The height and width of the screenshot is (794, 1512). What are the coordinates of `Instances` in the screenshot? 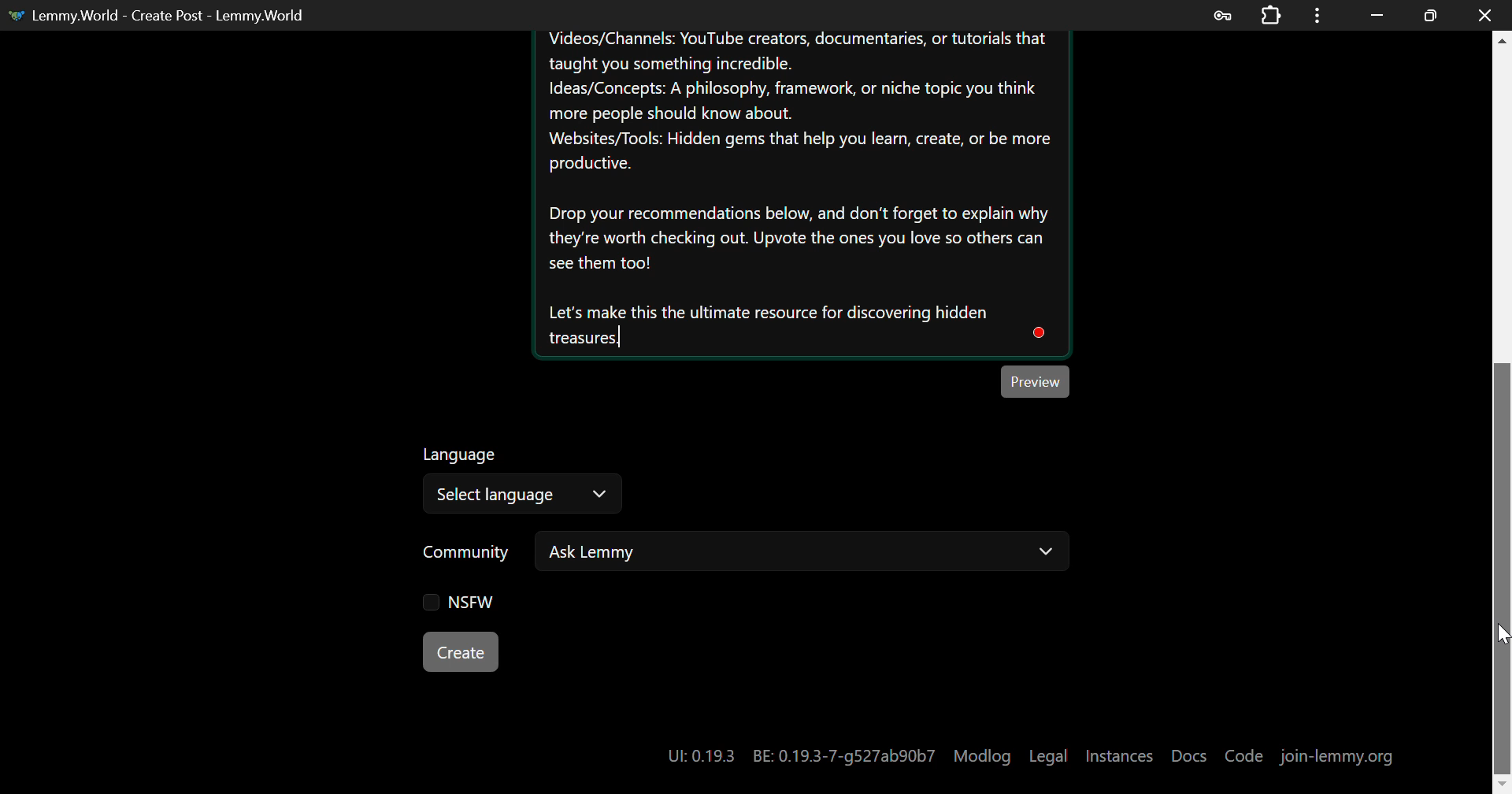 It's located at (1119, 756).